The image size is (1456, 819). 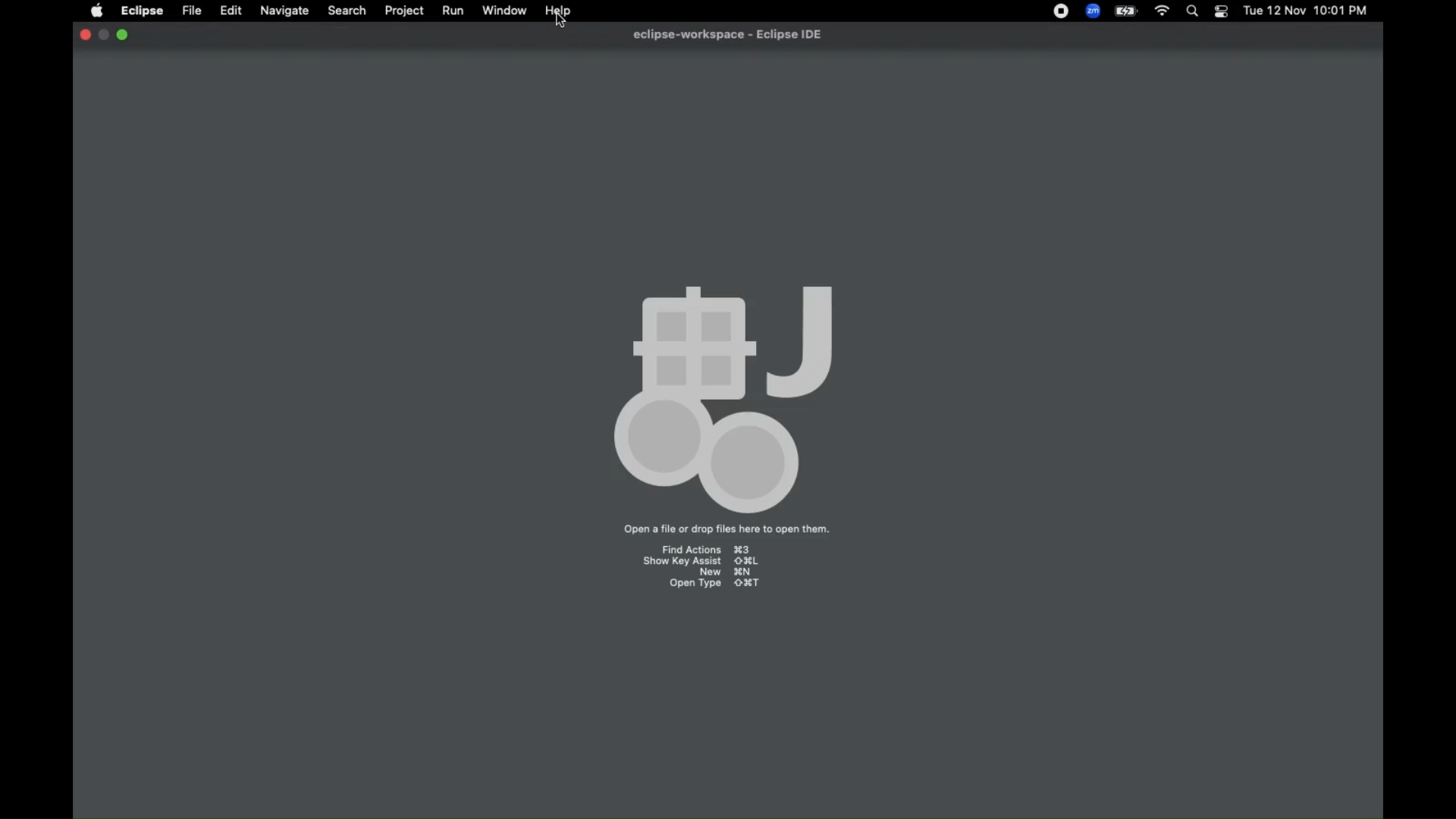 I want to click on Cursor, so click(x=561, y=20).